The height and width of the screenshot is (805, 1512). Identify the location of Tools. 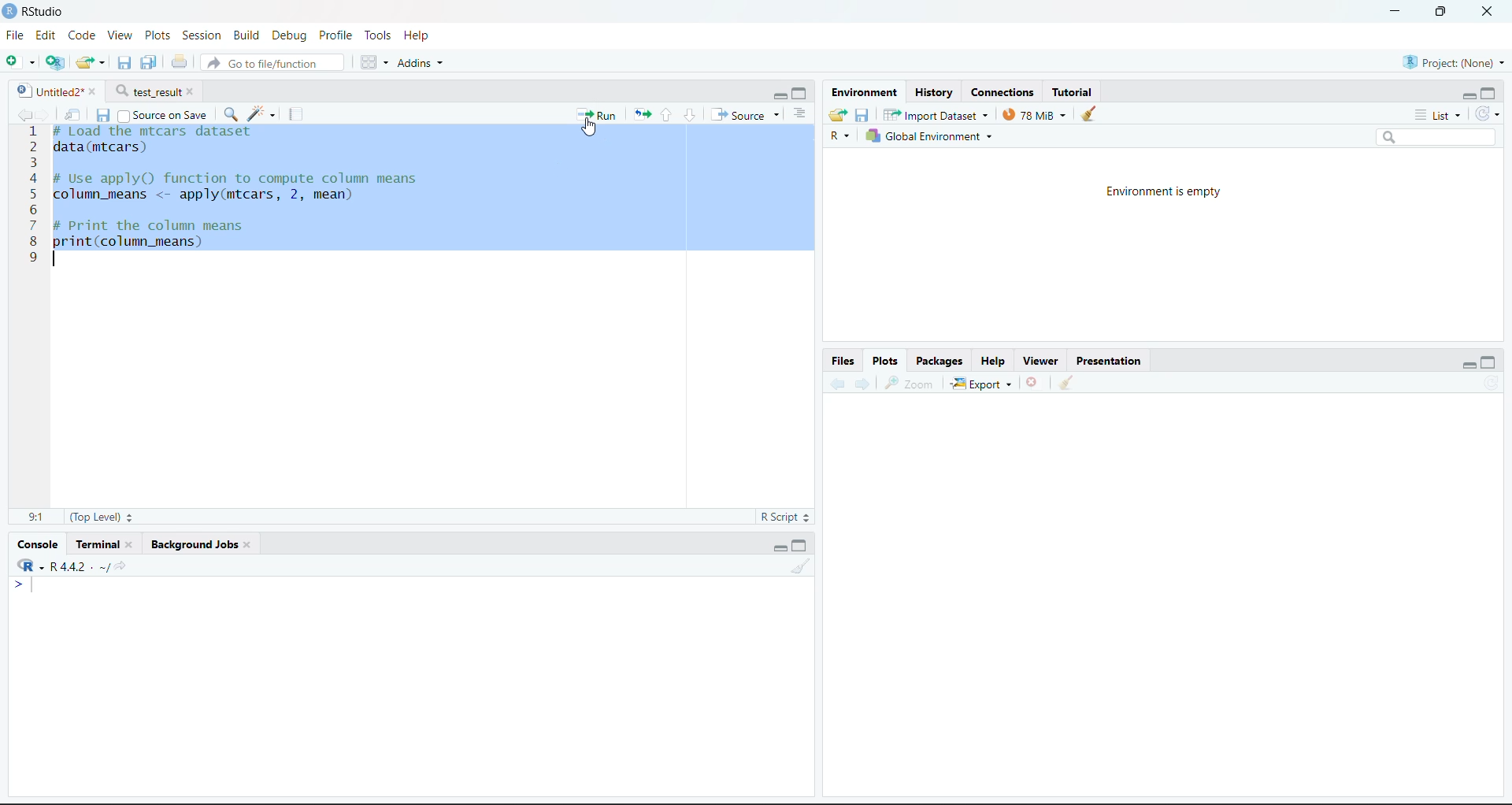
(377, 34).